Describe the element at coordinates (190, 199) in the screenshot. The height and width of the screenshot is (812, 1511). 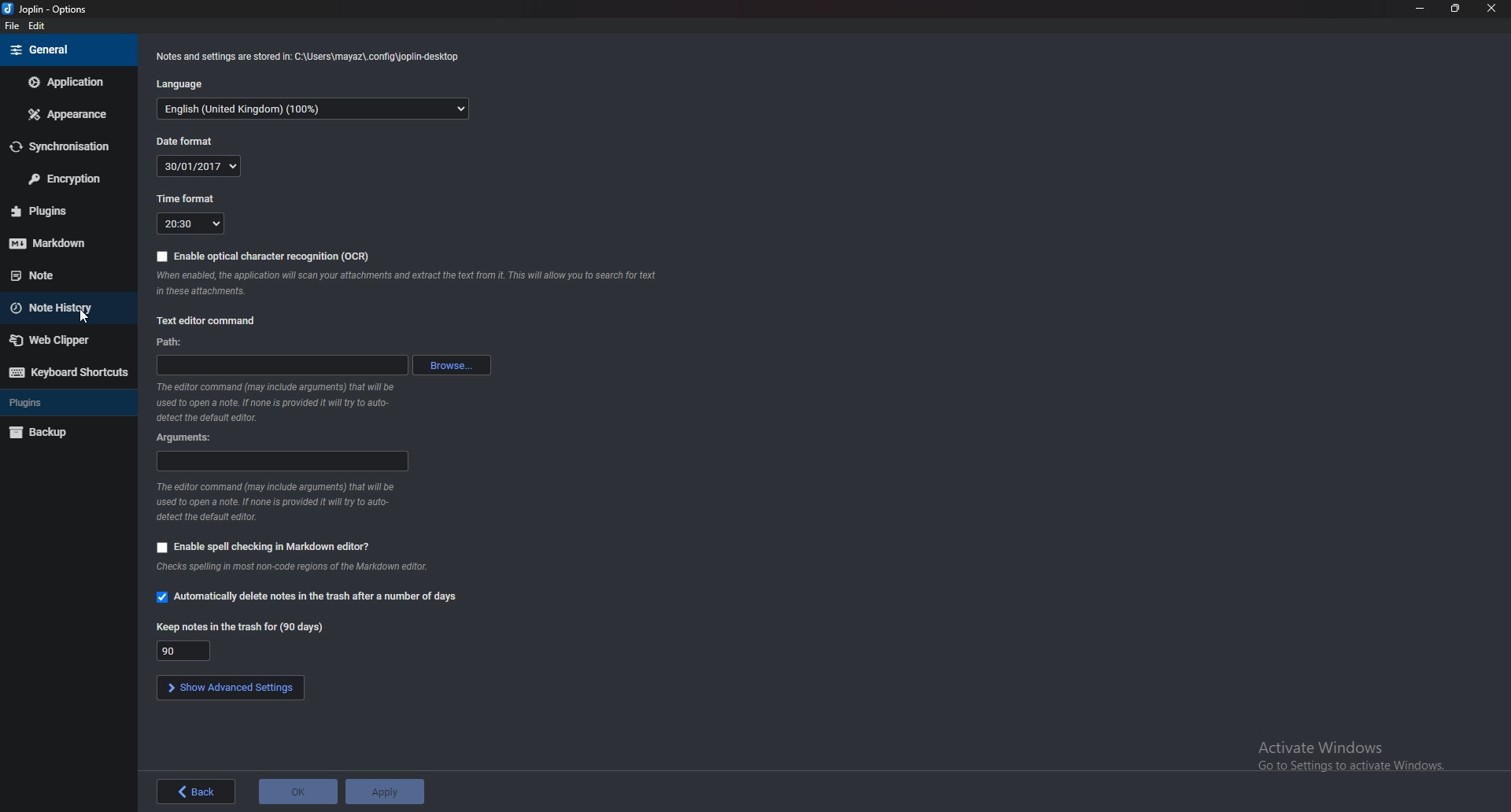
I see `Time format` at that location.